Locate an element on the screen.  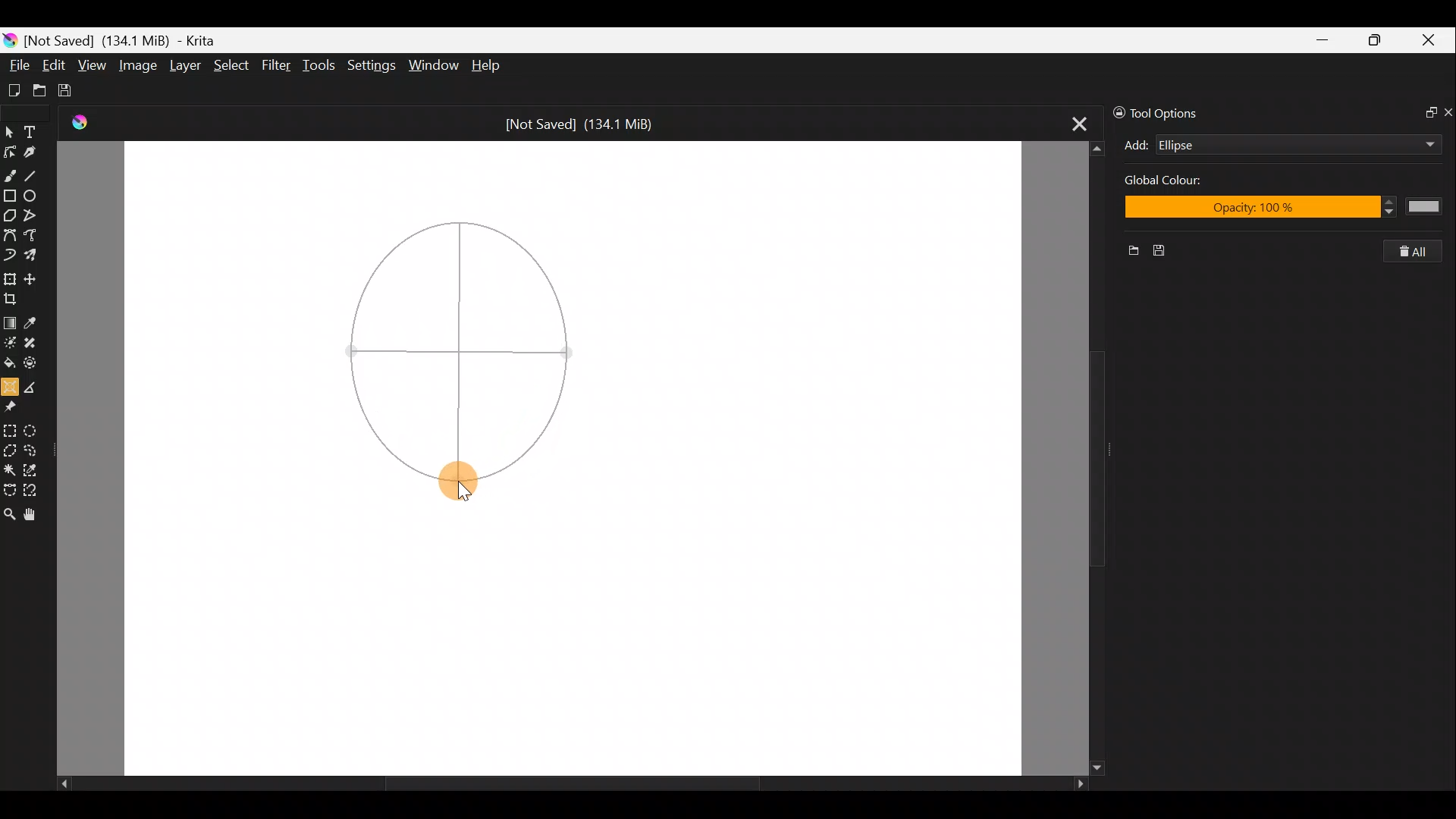
Freehand selection tool is located at coordinates (36, 449).